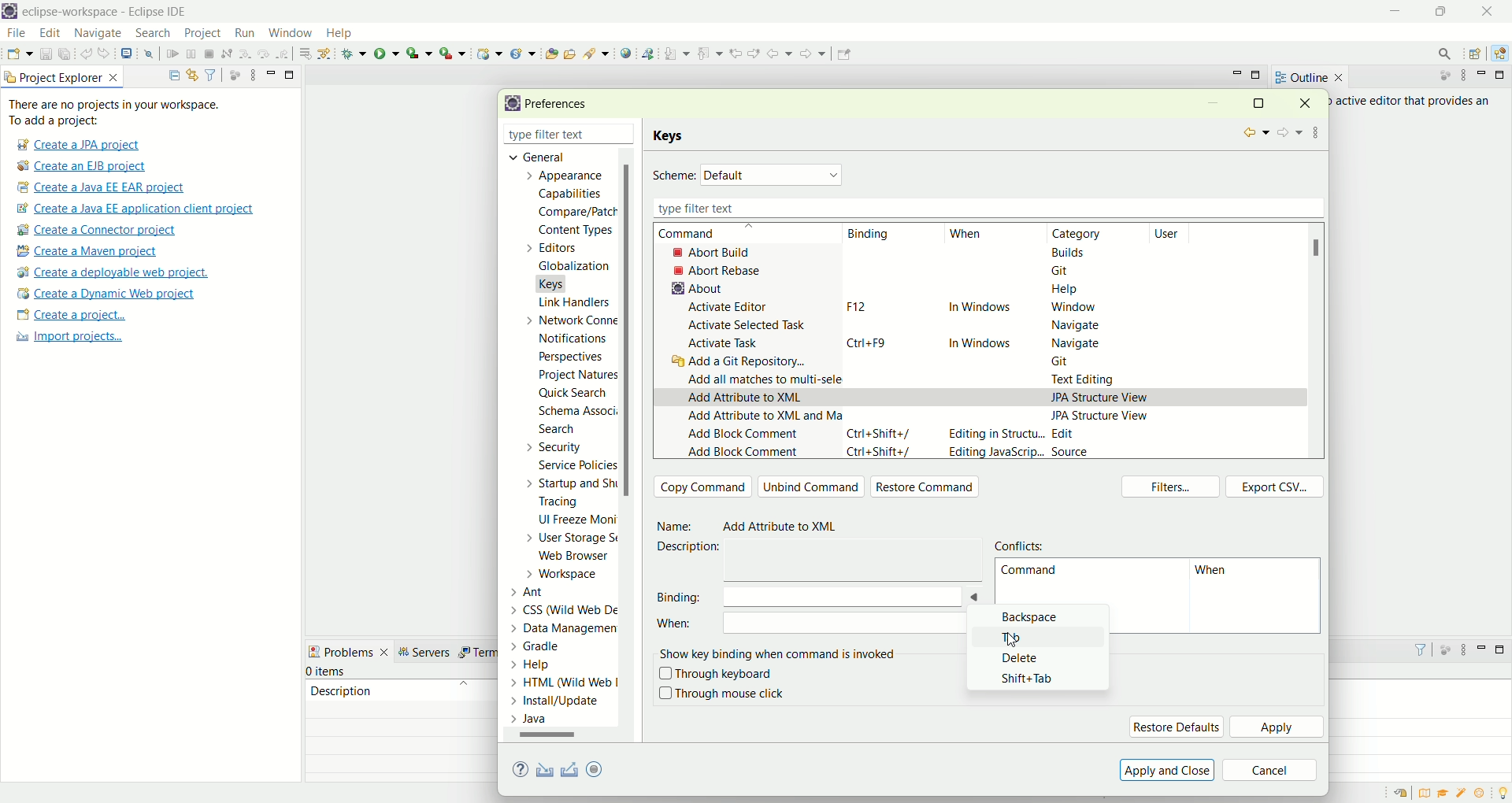  I want to click on category, so click(1084, 234).